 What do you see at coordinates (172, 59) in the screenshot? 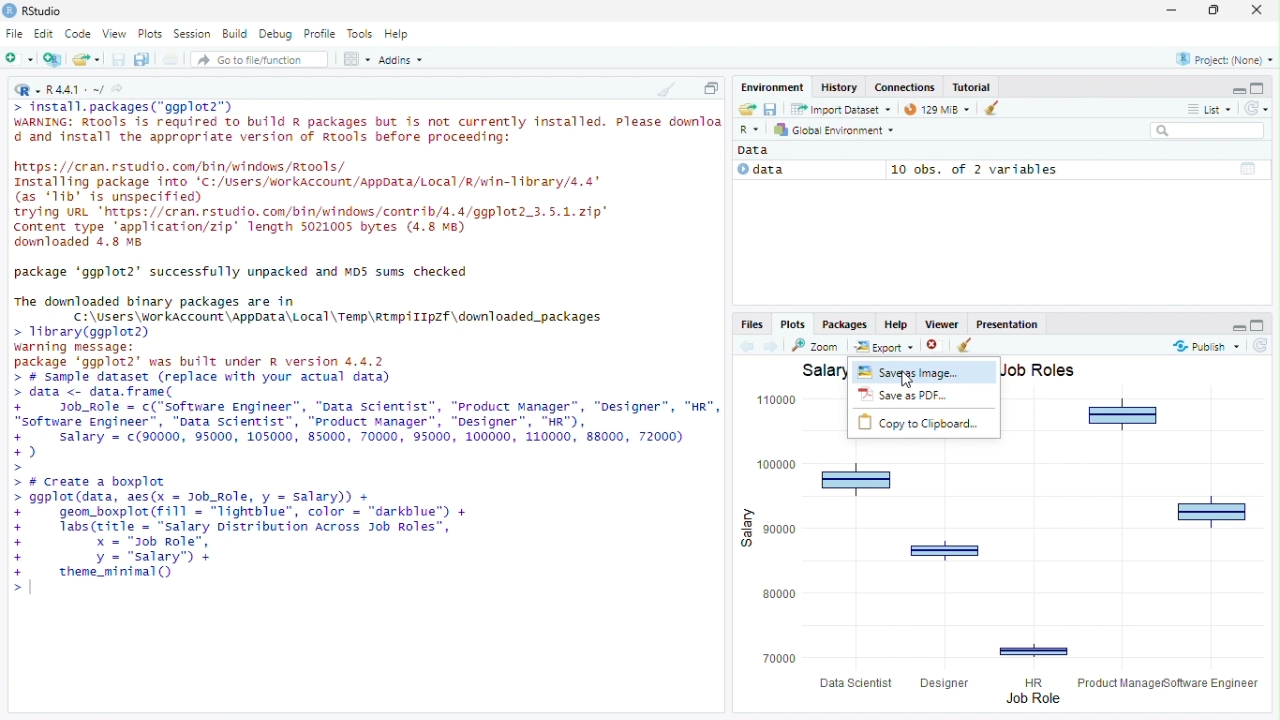
I see `print the current file` at bounding box center [172, 59].